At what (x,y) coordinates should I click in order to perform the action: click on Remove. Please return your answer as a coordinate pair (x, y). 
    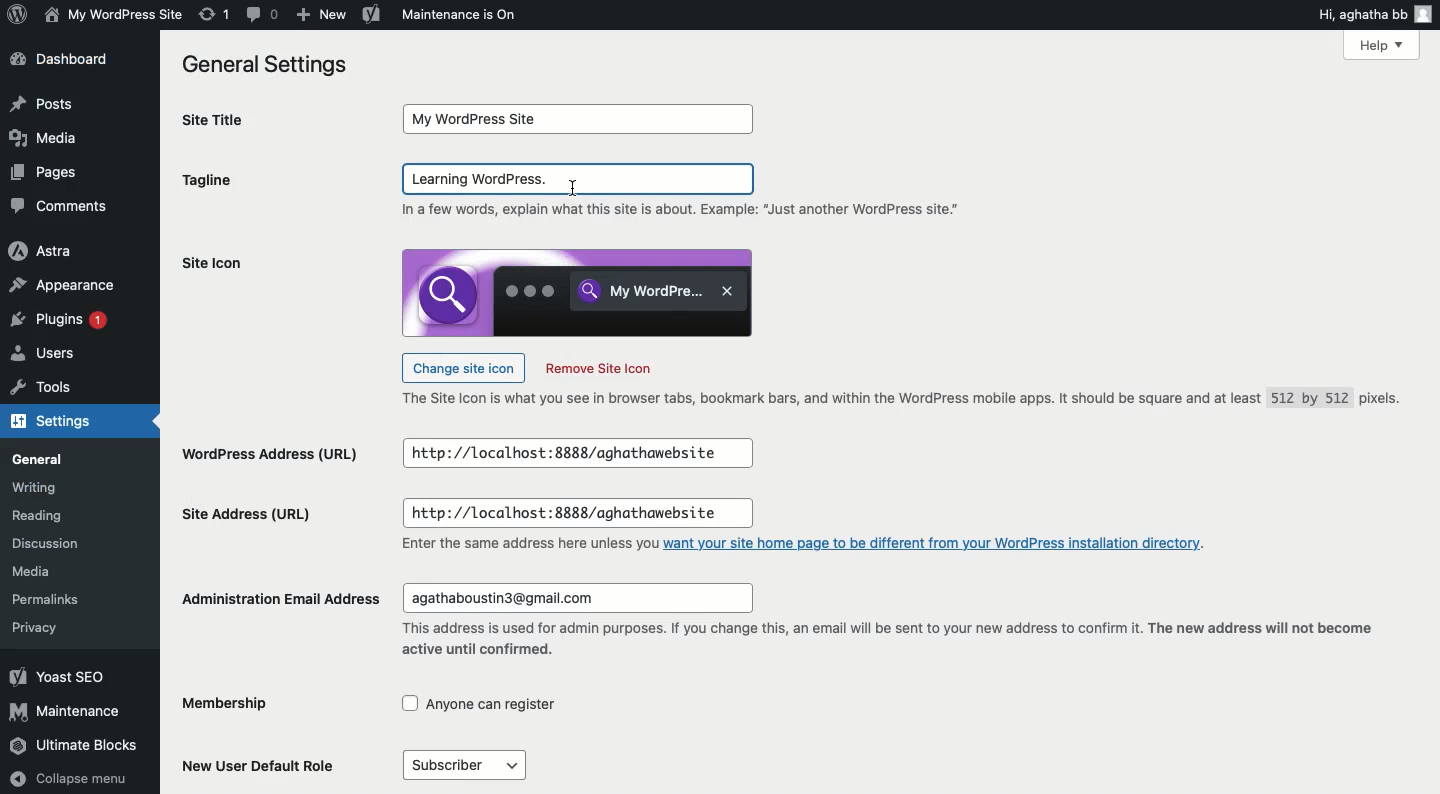
    Looking at the image, I should click on (598, 369).